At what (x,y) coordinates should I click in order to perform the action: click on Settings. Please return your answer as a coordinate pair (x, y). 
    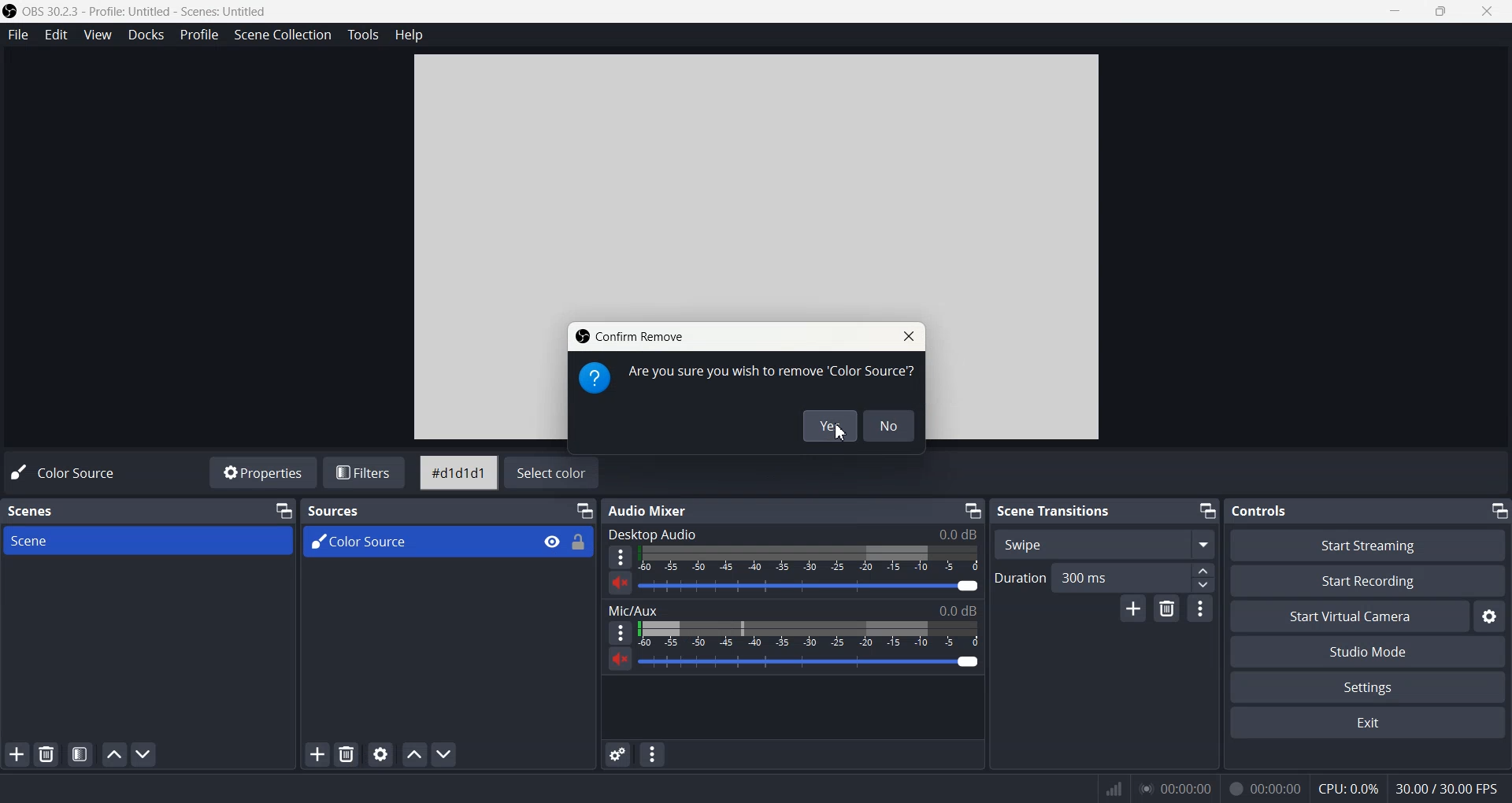
    Looking at the image, I should click on (1368, 686).